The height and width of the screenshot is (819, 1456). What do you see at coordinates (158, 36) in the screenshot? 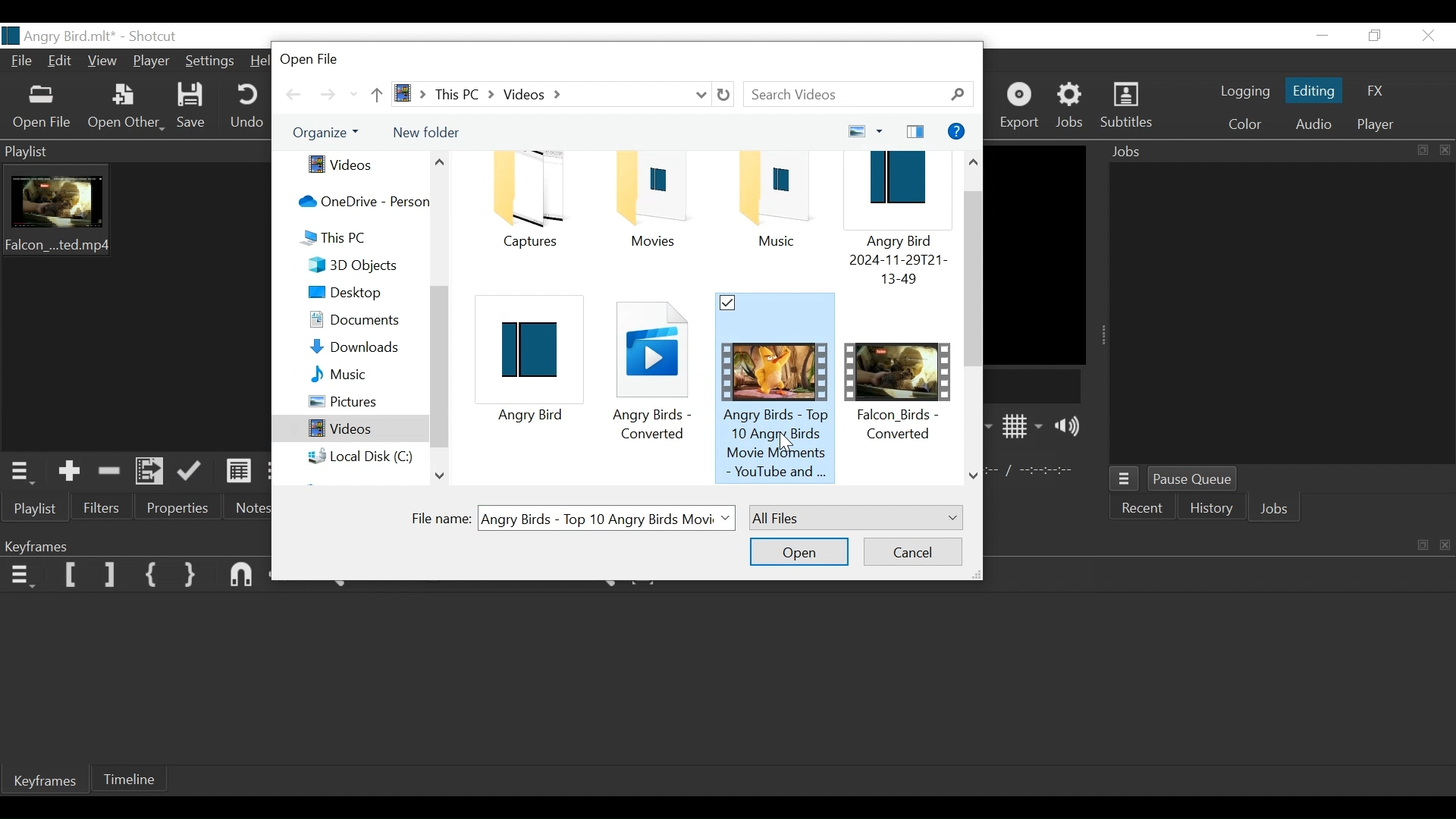
I see `Shotcut` at bounding box center [158, 36].